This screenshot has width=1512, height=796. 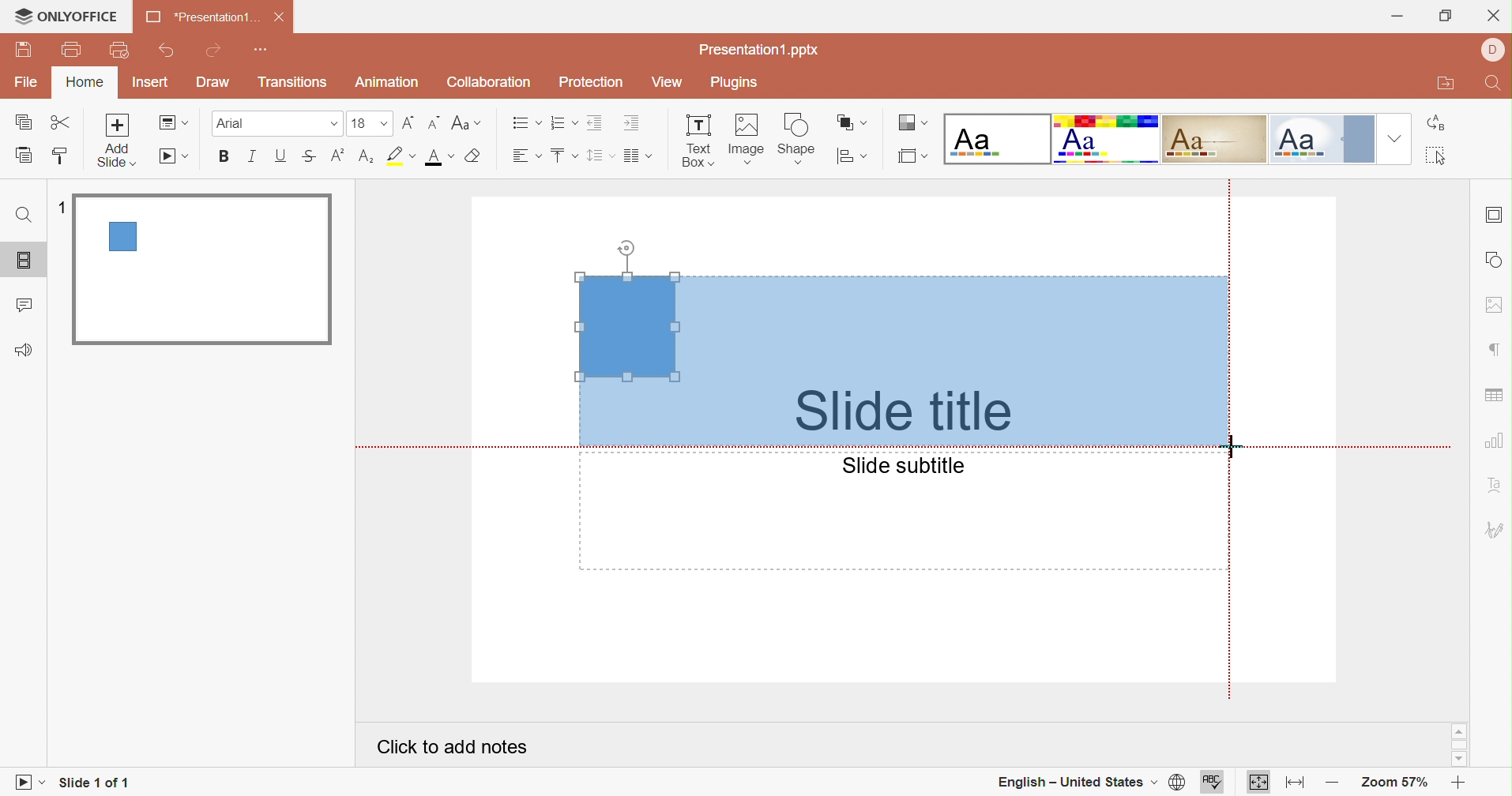 I want to click on Table settings, so click(x=1493, y=396).